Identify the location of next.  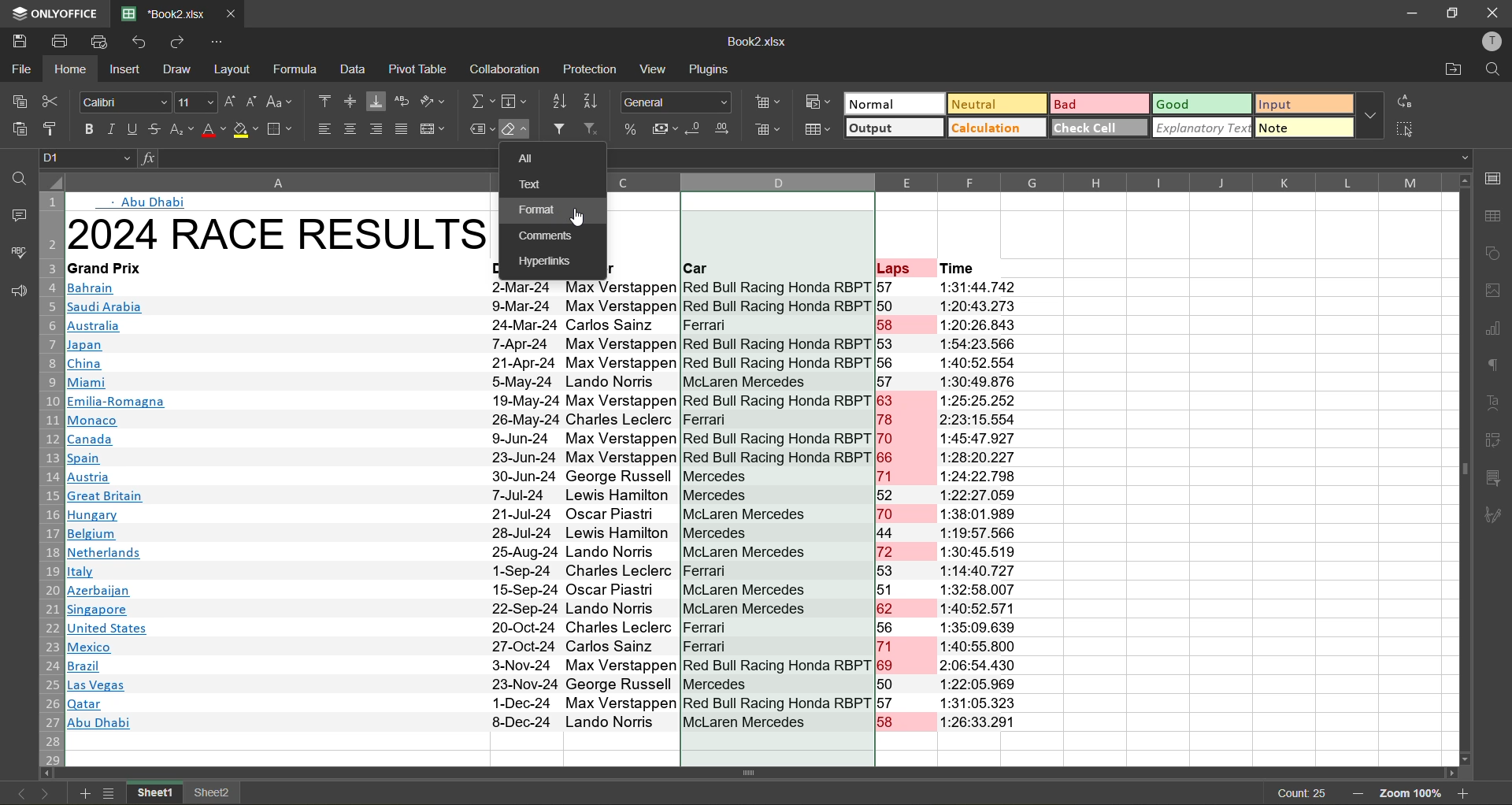
(43, 794).